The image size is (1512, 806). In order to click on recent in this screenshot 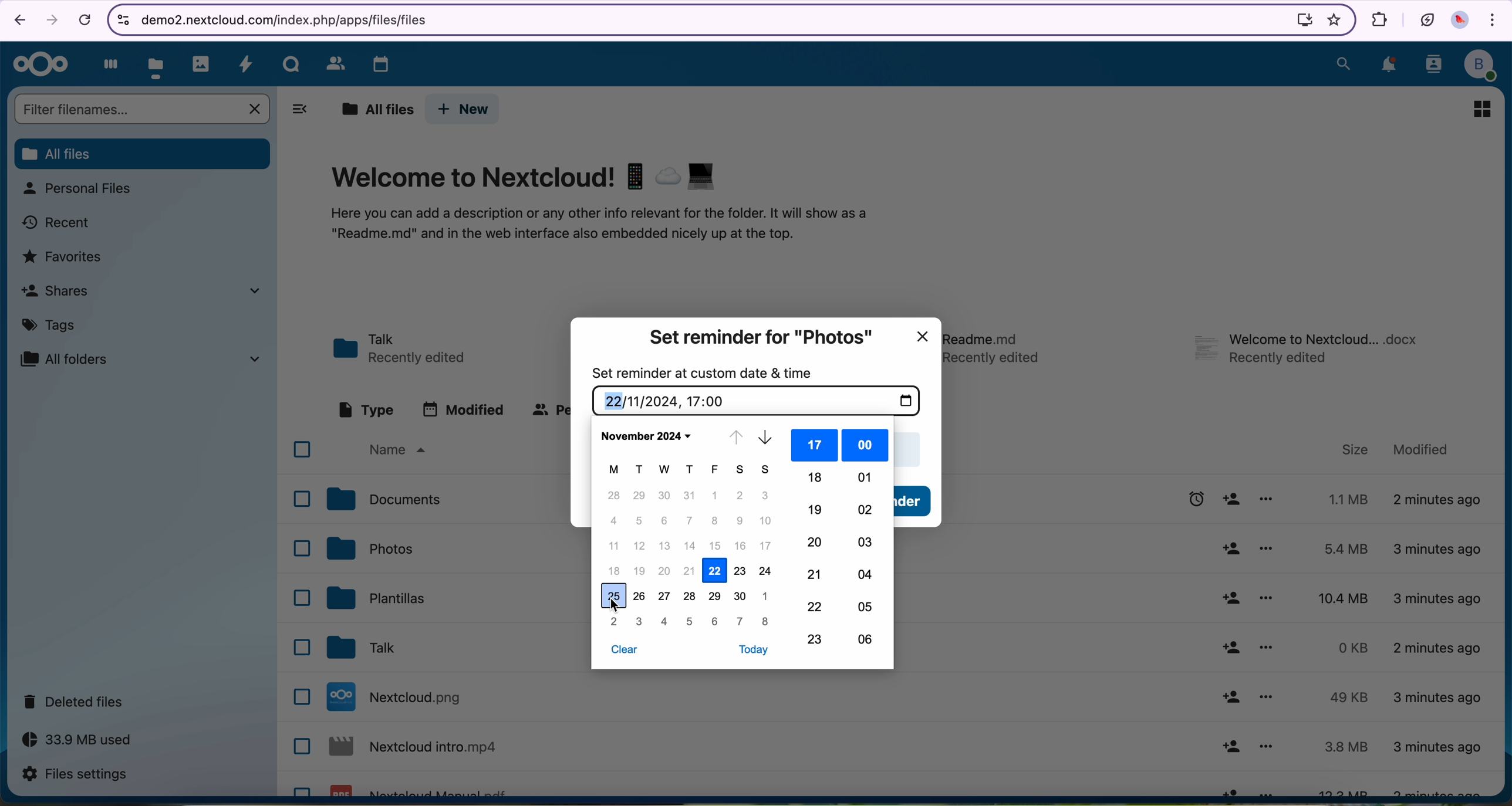, I will do `click(59, 222)`.